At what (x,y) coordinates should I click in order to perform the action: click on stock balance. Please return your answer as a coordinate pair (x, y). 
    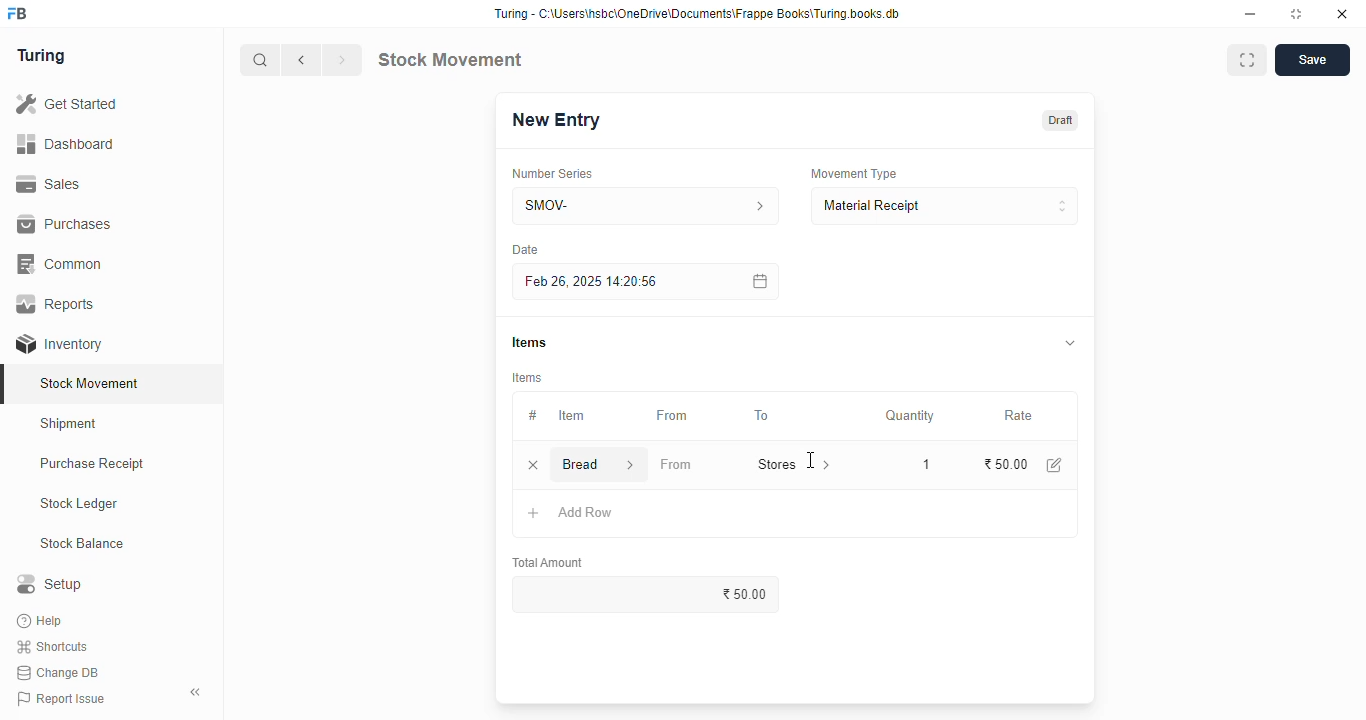
    Looking at the image, I should click on (83, 544).